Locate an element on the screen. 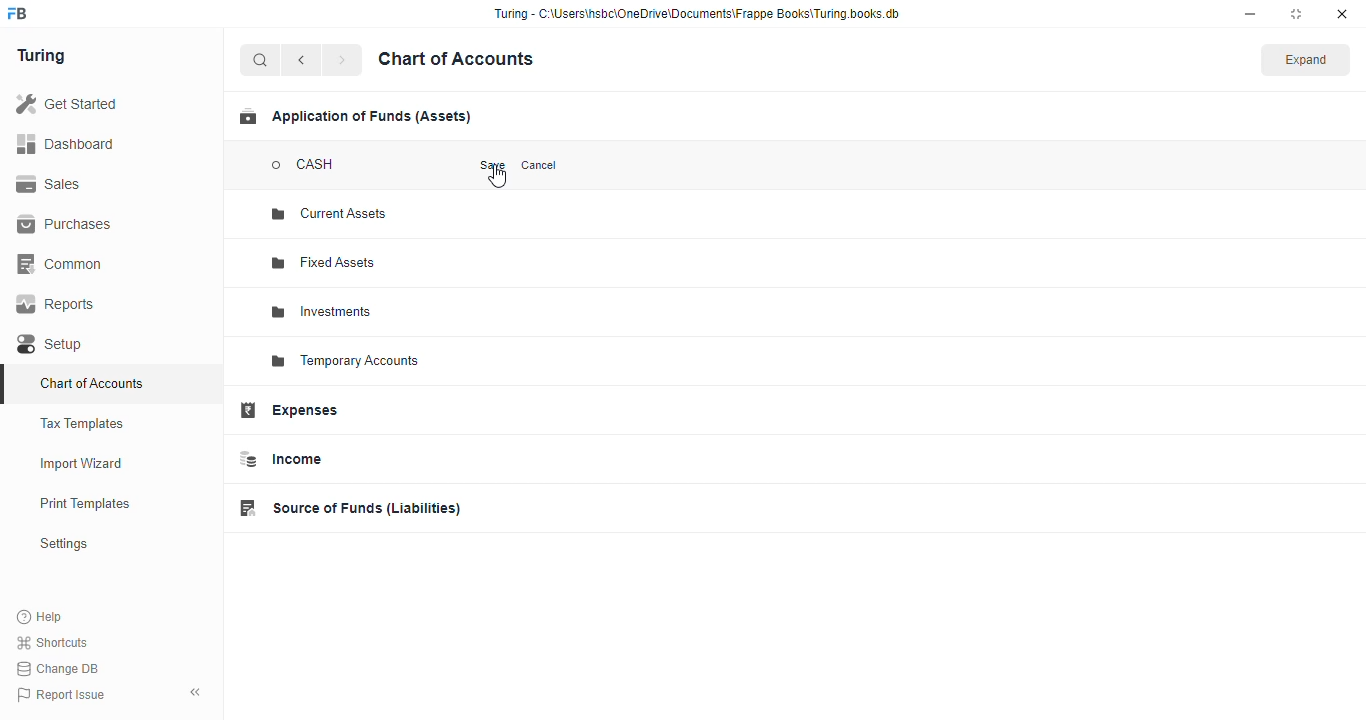 The height and width of the screenshot is (720, 1366). import wizard is located at coordinates (82, 464).